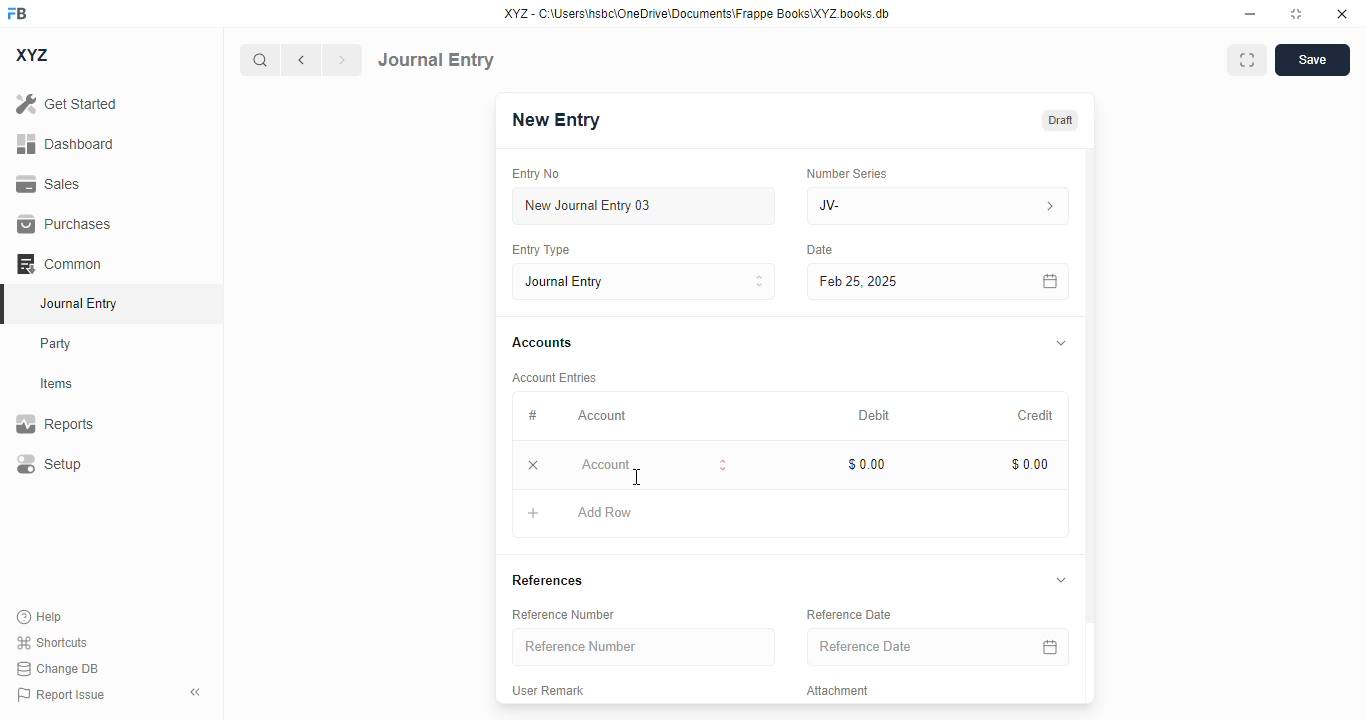 This screenshot has width=1366, height=720. I want to click on next, so click(343, 60).